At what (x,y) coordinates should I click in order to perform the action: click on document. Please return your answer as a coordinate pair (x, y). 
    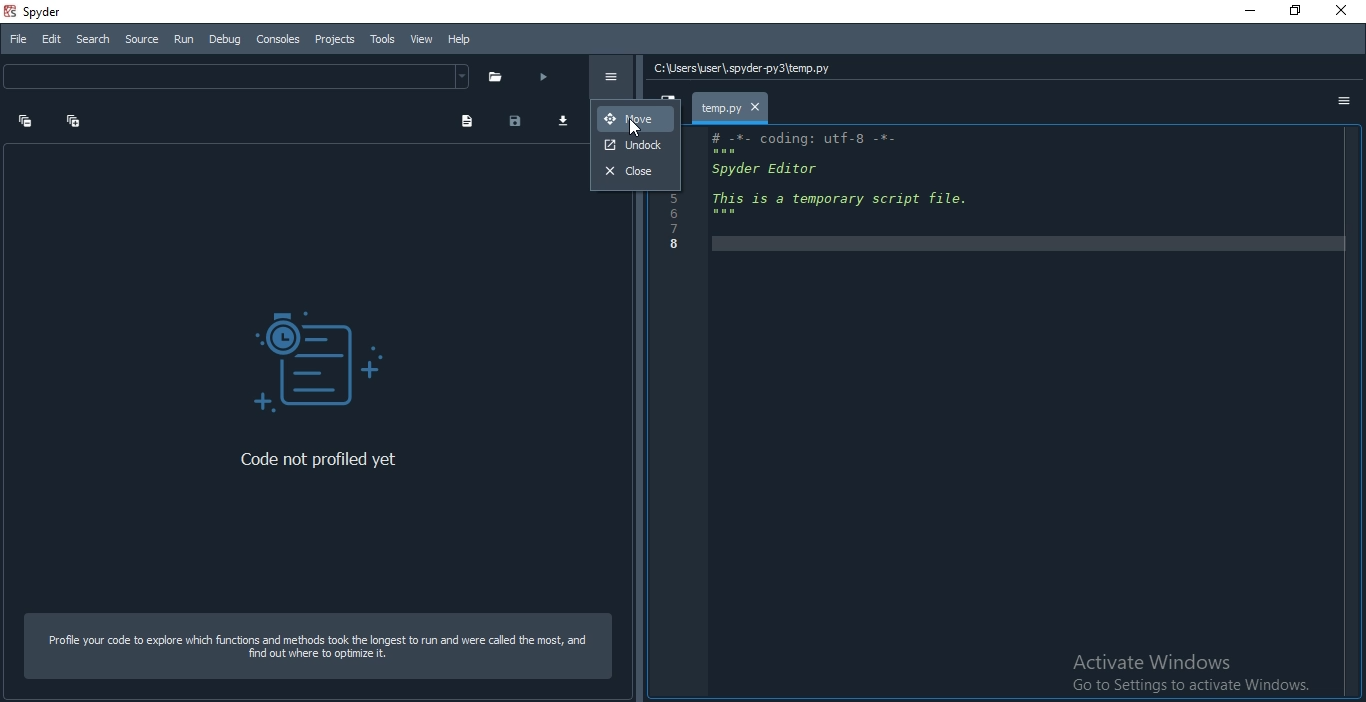
    Looking at the image, I should click on (468, 121).